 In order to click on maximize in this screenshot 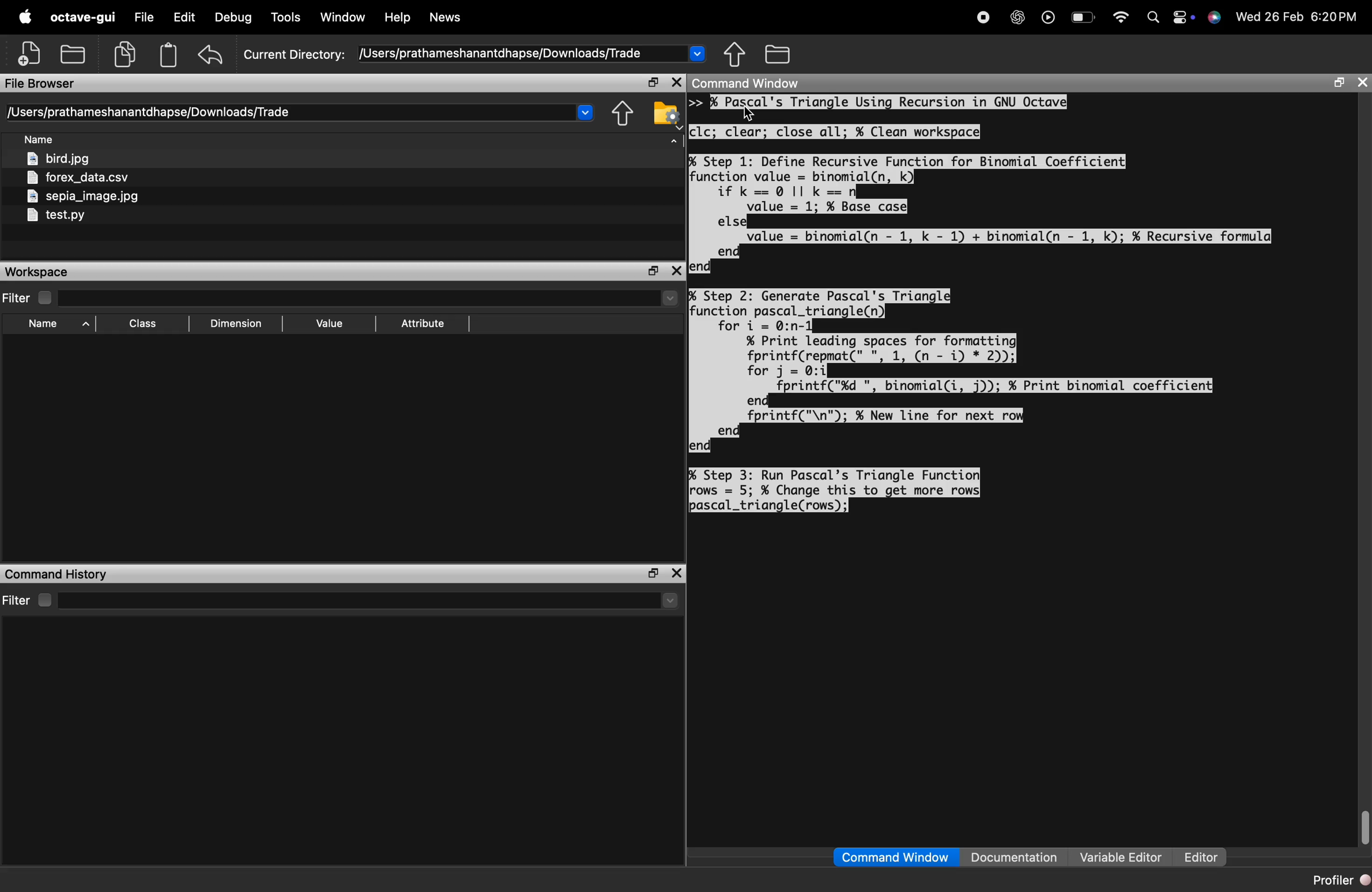, I will do `click(651, 574)`.